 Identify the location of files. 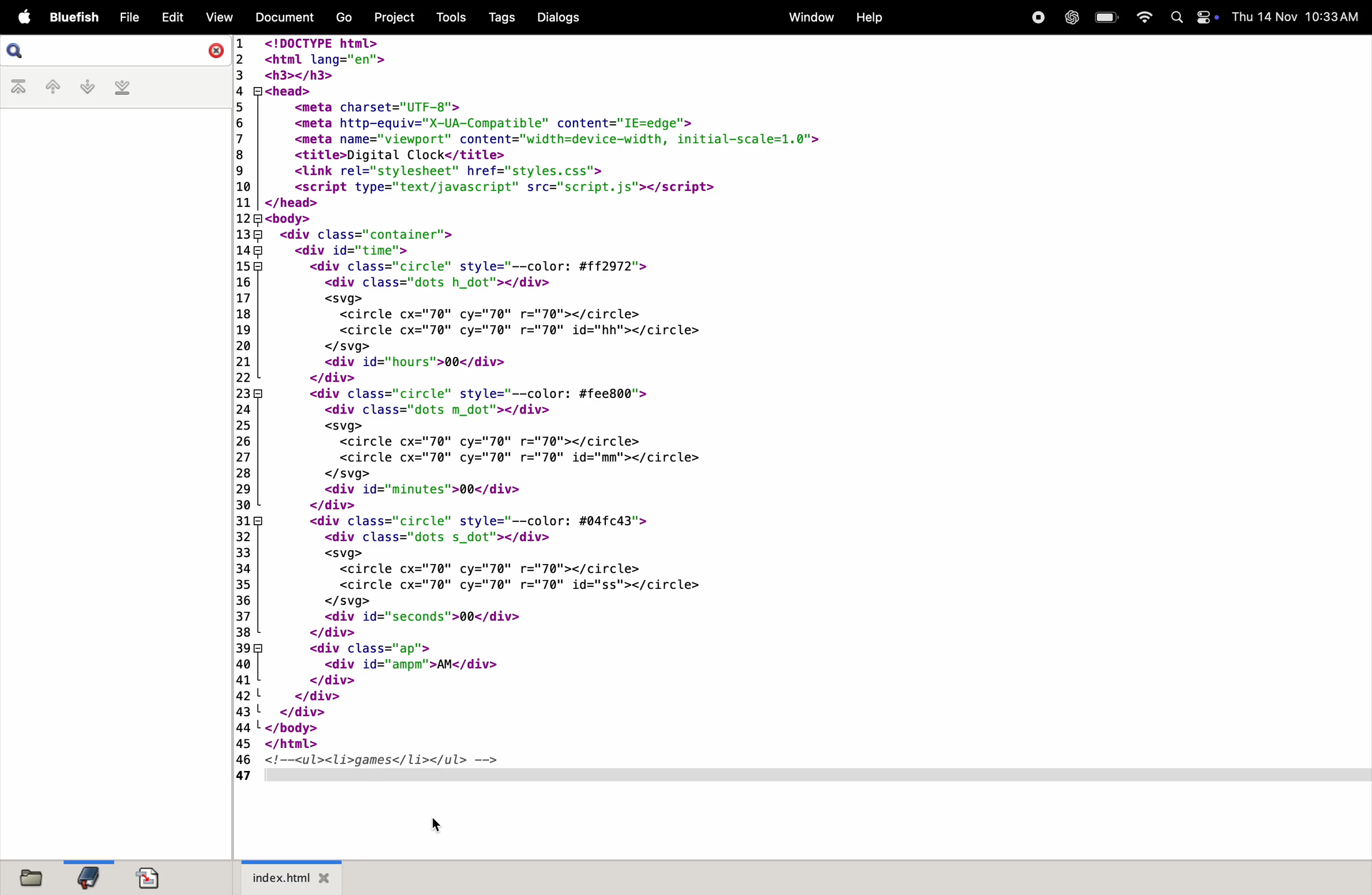
(35, 877).